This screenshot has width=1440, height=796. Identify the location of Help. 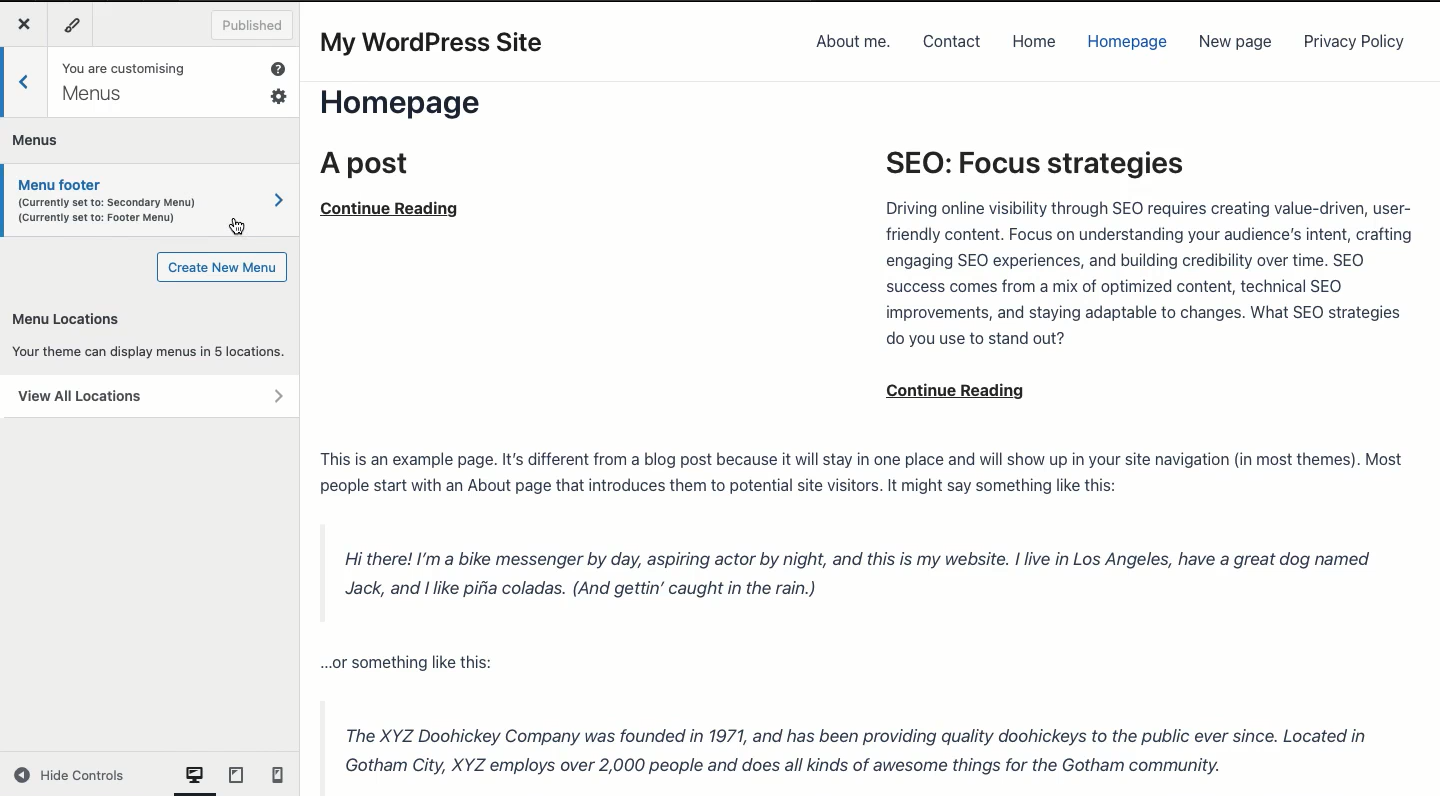
(278, 68).